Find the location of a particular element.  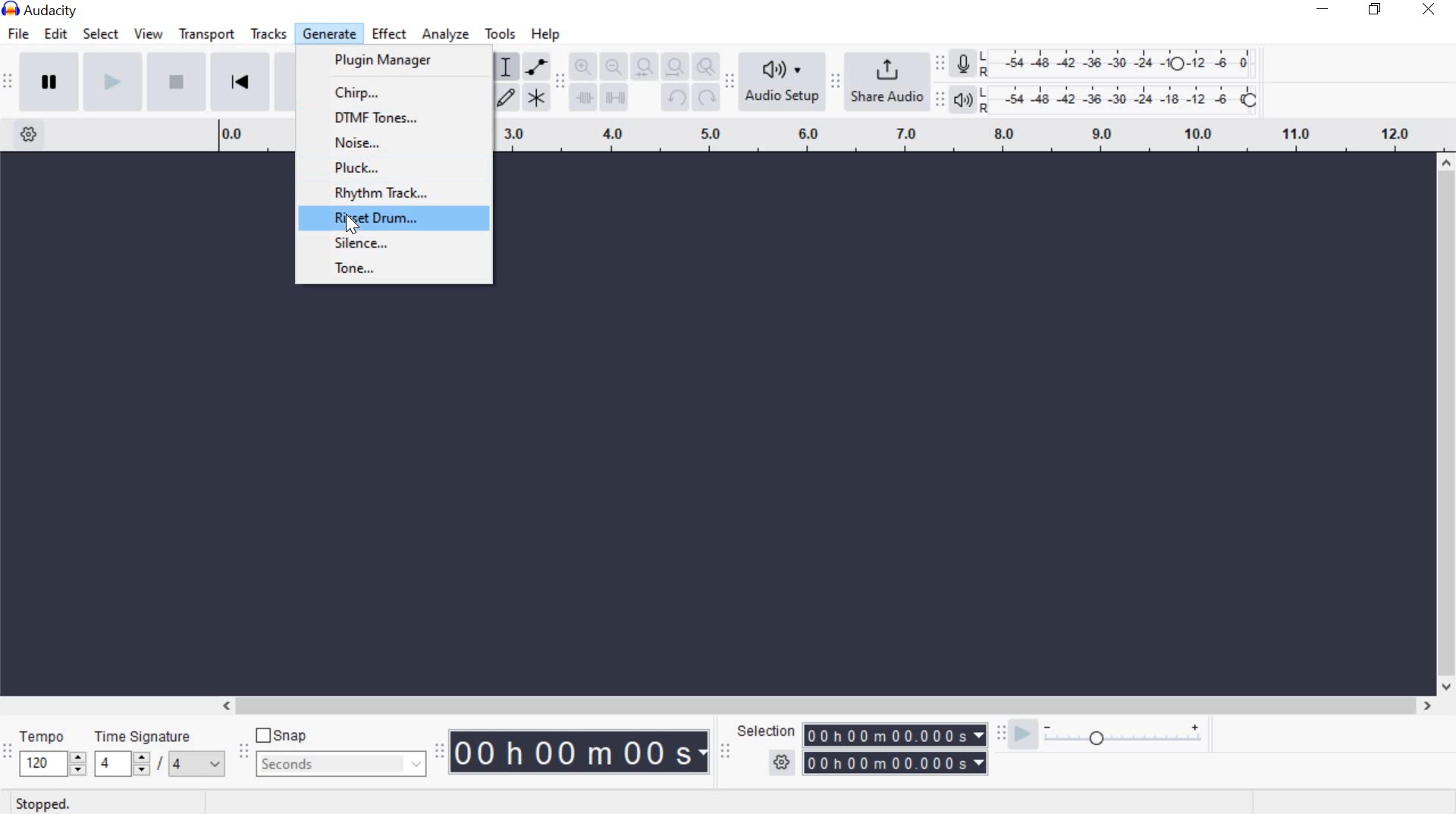

selection time is located at coordinates (896, 748).